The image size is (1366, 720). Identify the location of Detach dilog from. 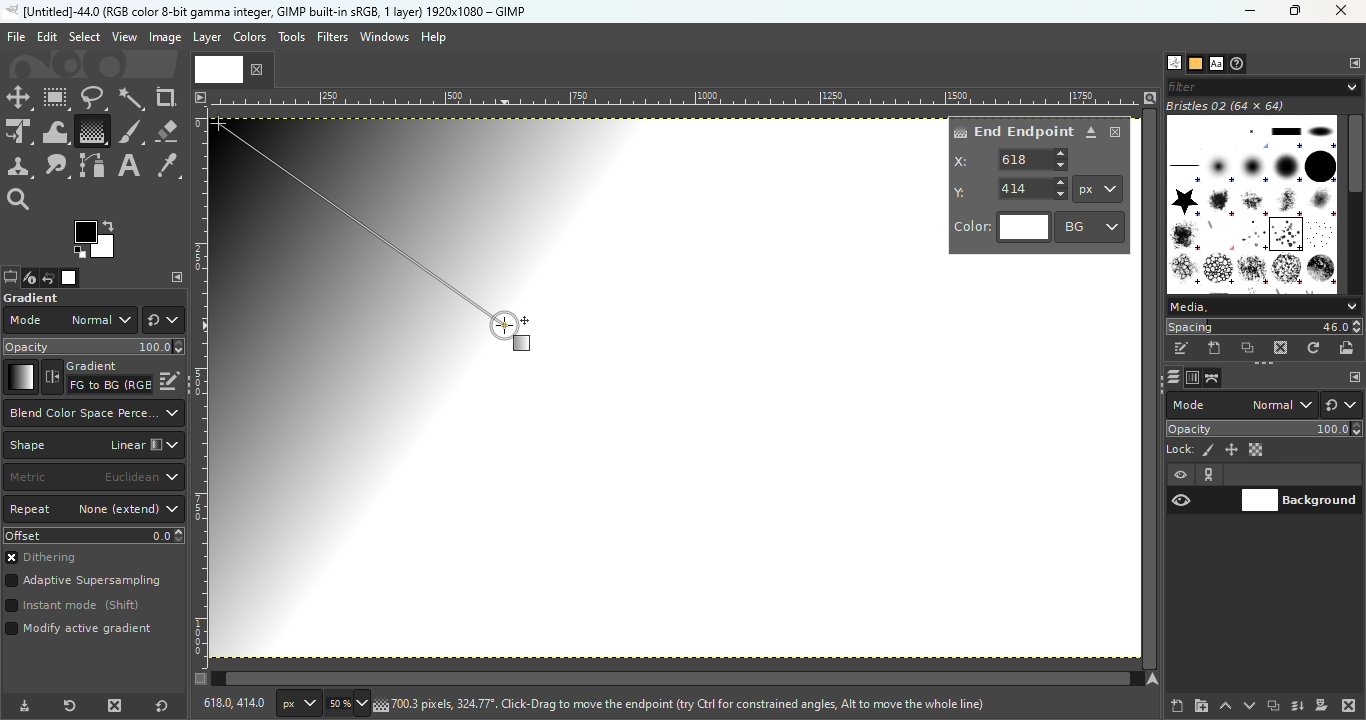
(1092, 133).